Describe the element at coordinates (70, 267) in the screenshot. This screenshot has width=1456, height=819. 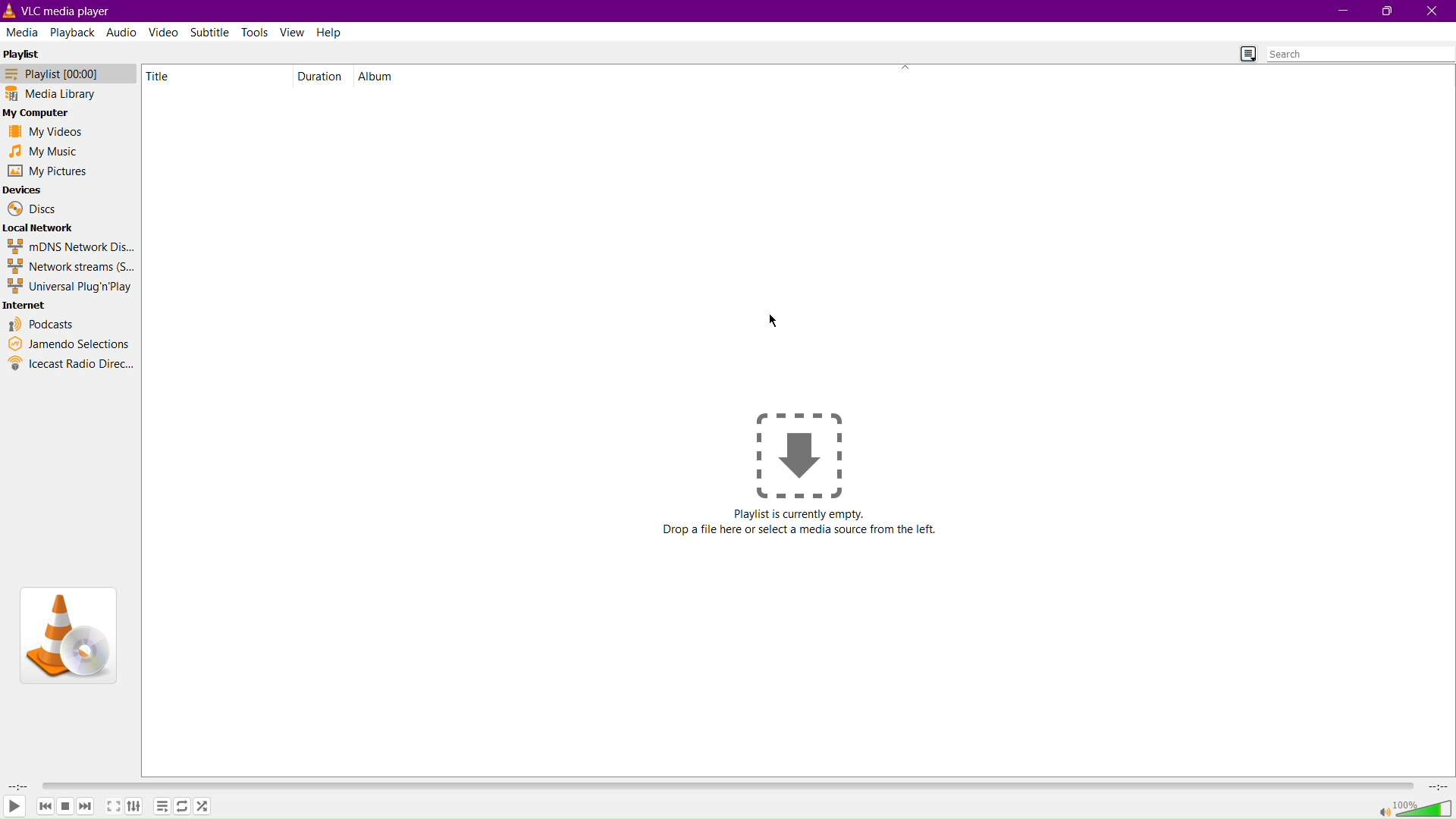
I see `Network Streams` at that location.